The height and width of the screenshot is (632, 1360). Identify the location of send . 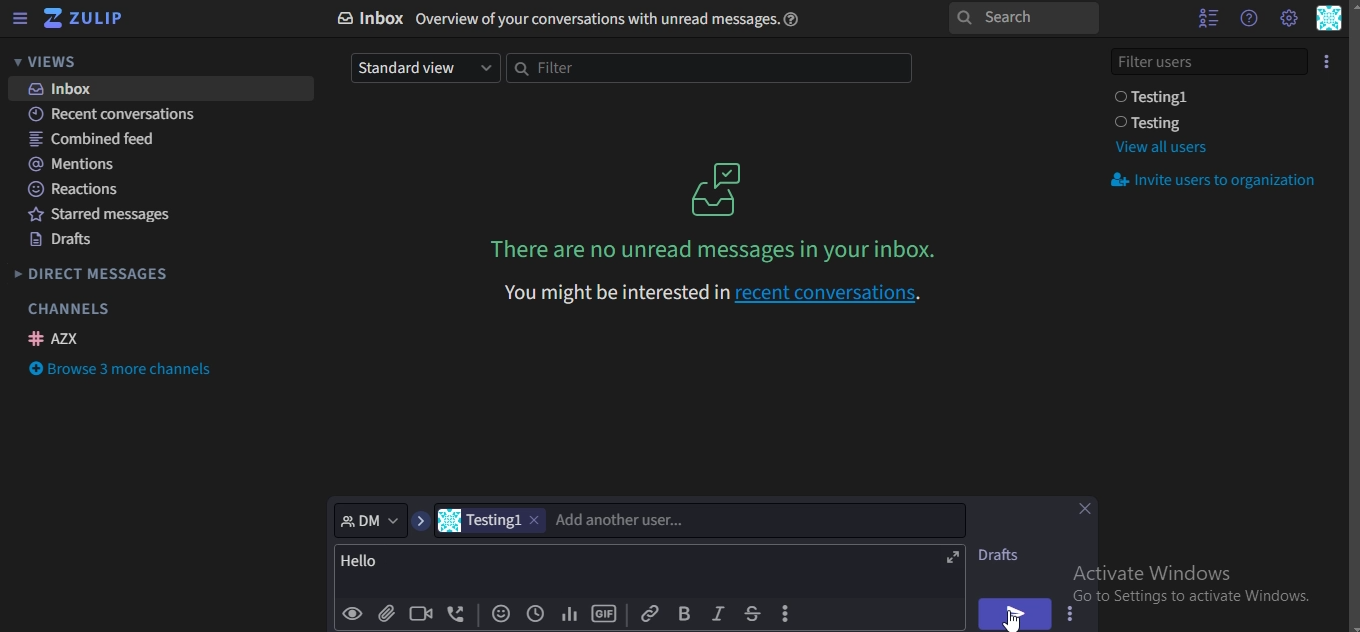
(1012, 613).